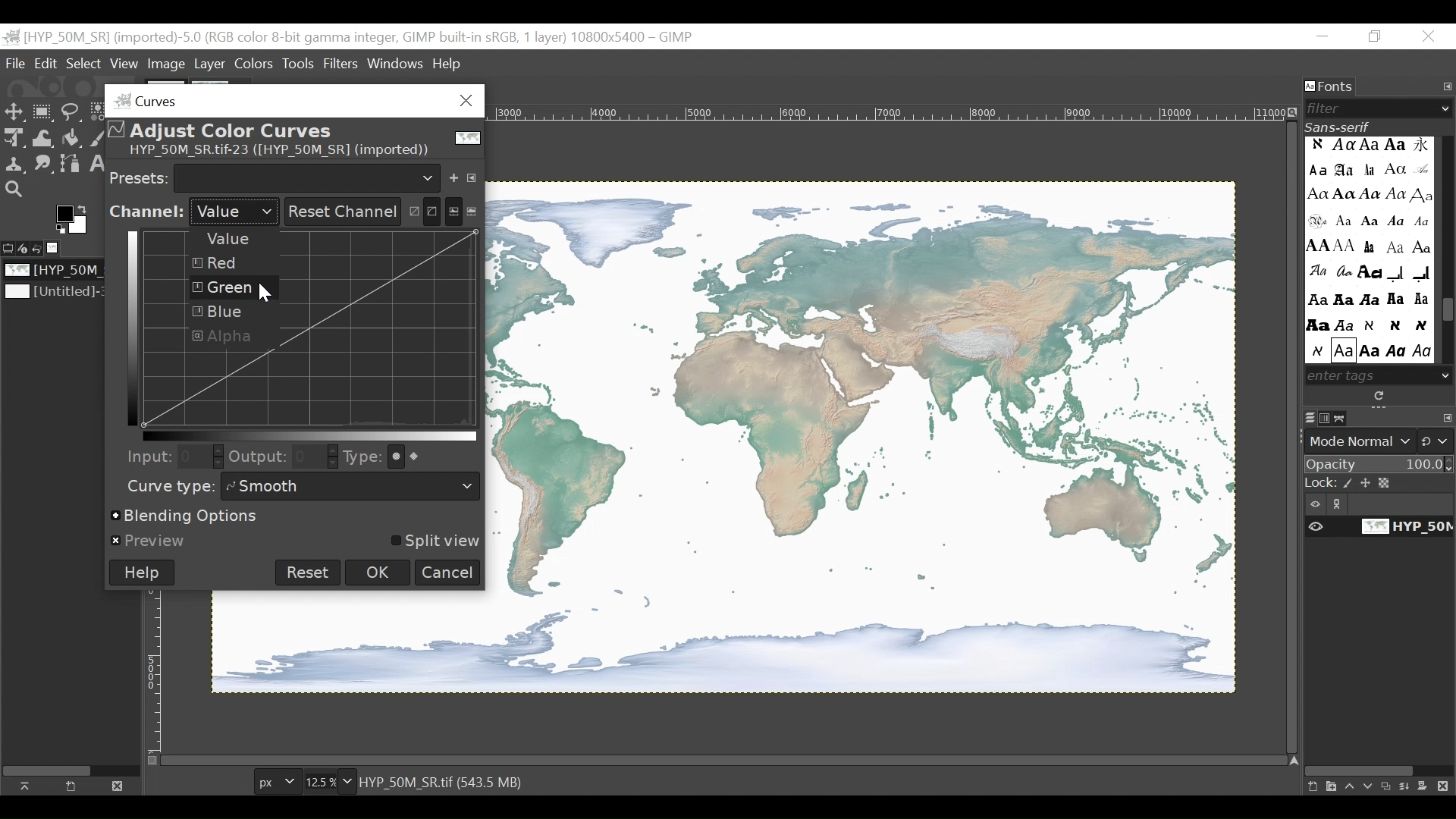  What do you see at coordinates (475, 175) in the screenshot?
I see `Manage presets` at bounding box center [475, 175].